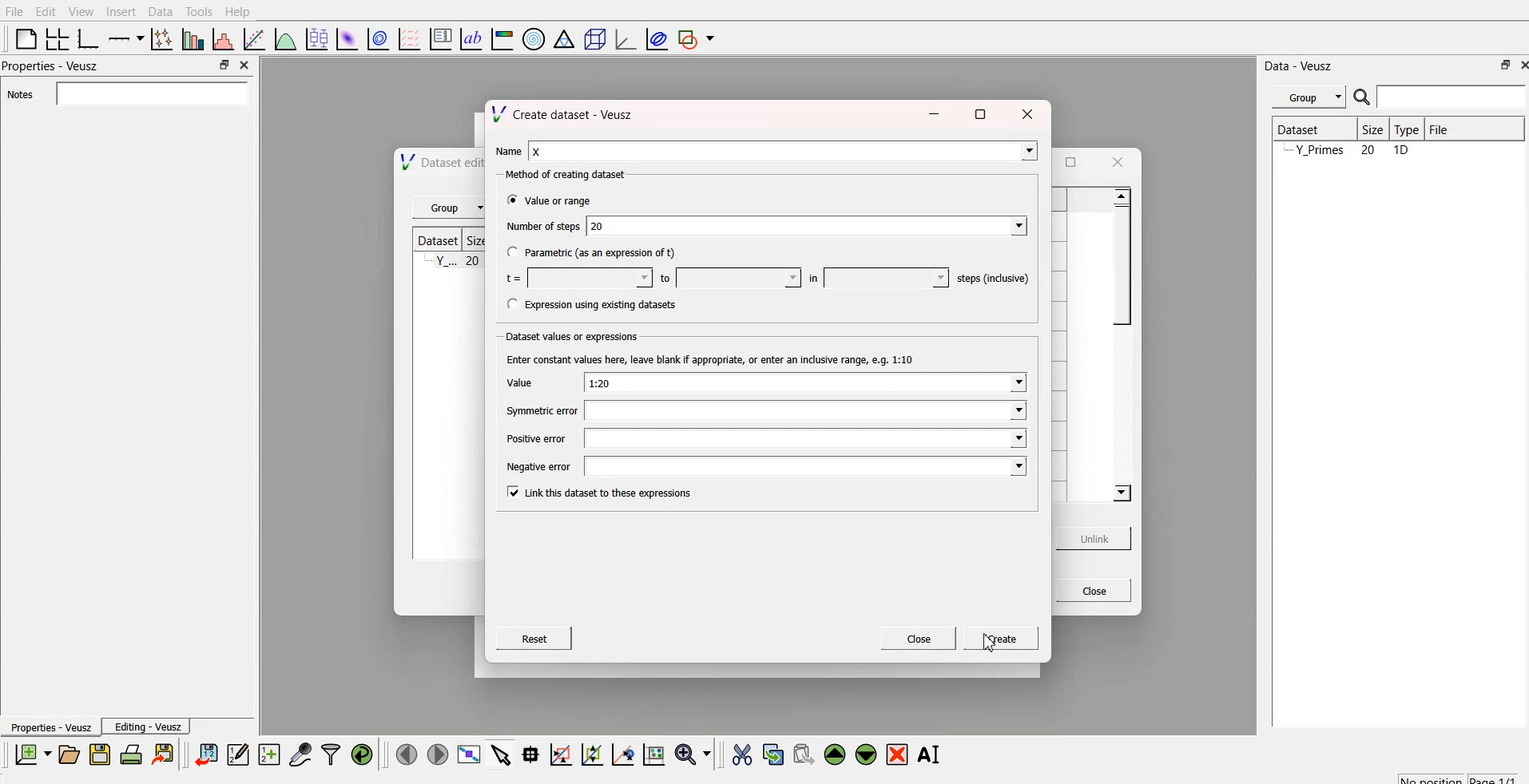 The width and height of the screenshot is (1529, 784). Describe the element at coordinates (595, 41) in the screenshot. I see `3D scene` at that location.